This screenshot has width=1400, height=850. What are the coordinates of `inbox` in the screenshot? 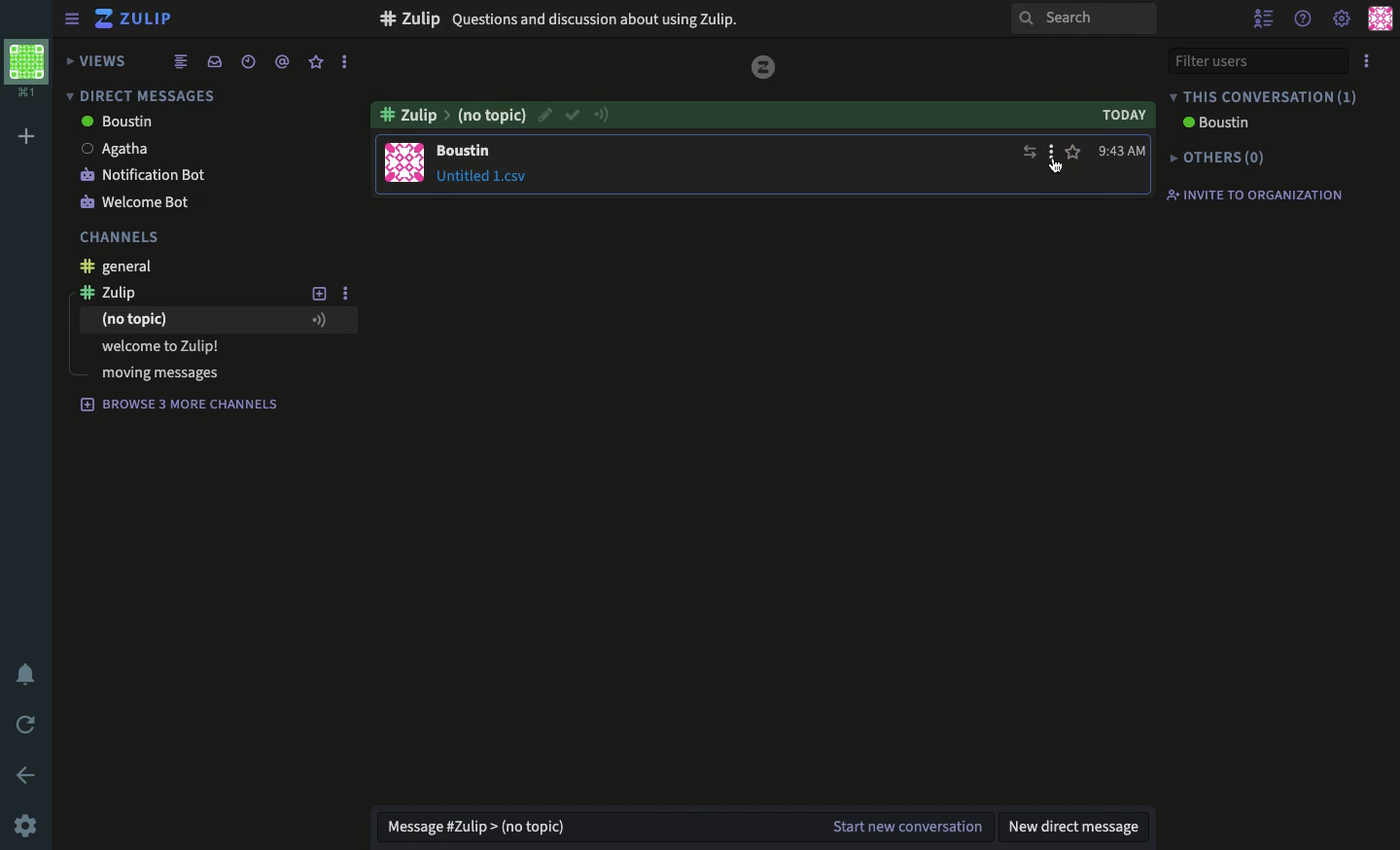 It's located at (214, 61).